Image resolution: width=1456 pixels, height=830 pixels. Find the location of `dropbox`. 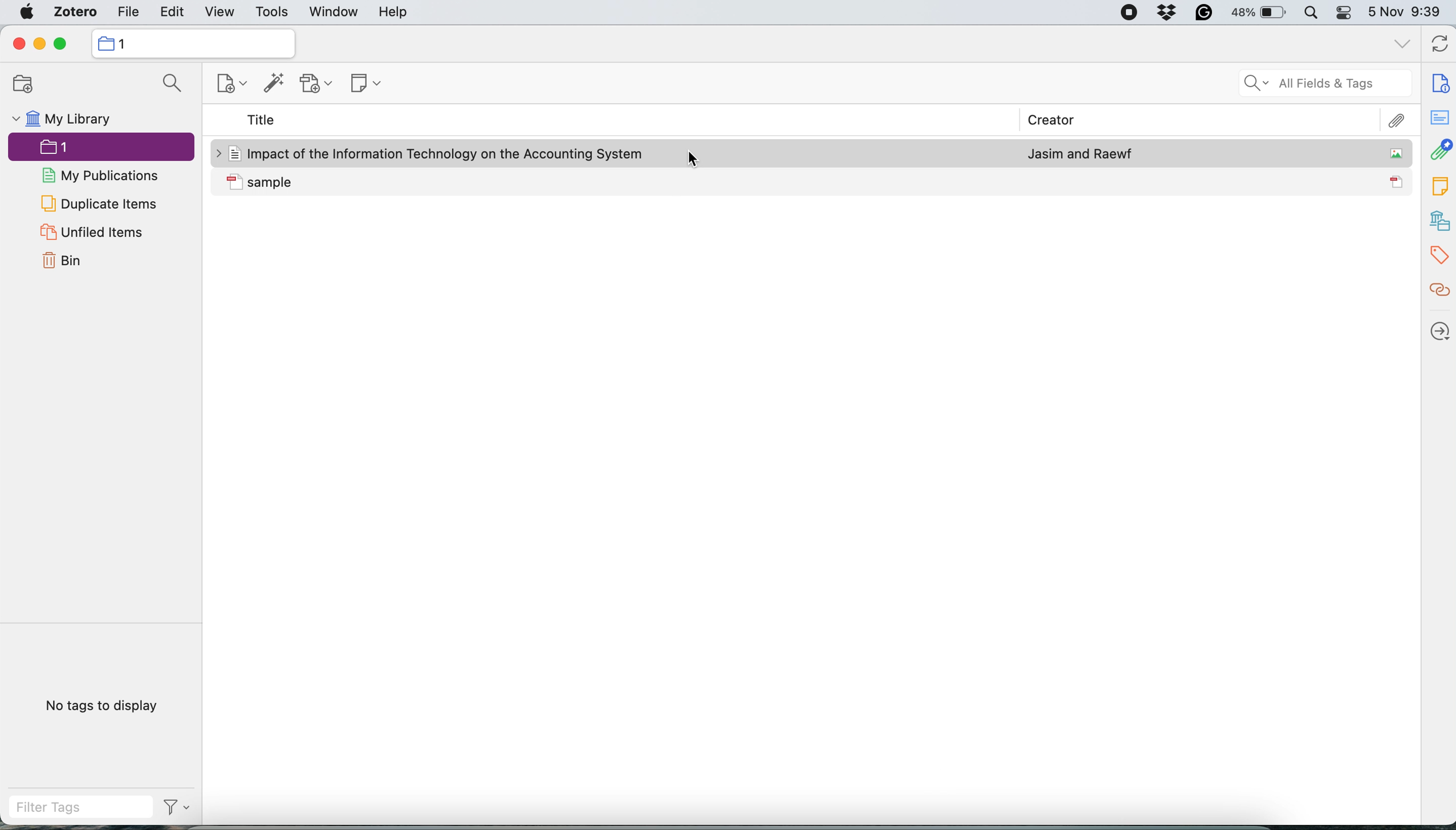

dropbox is located at coordinates (1165, 12).